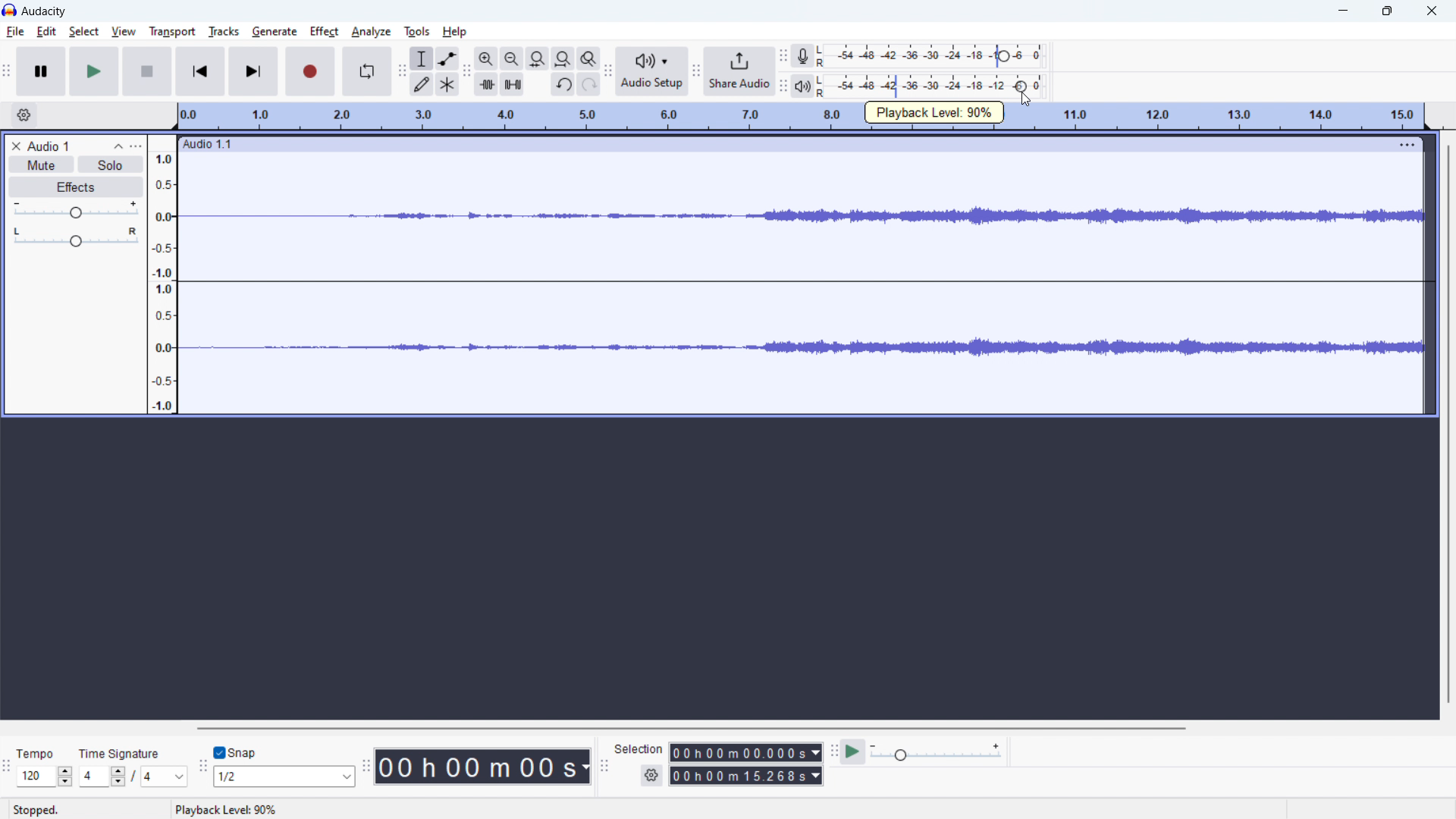  What do you see at coordinates (366, 766) in the screenshot?
I see `time toolbar` at bounding box center [366, 766].